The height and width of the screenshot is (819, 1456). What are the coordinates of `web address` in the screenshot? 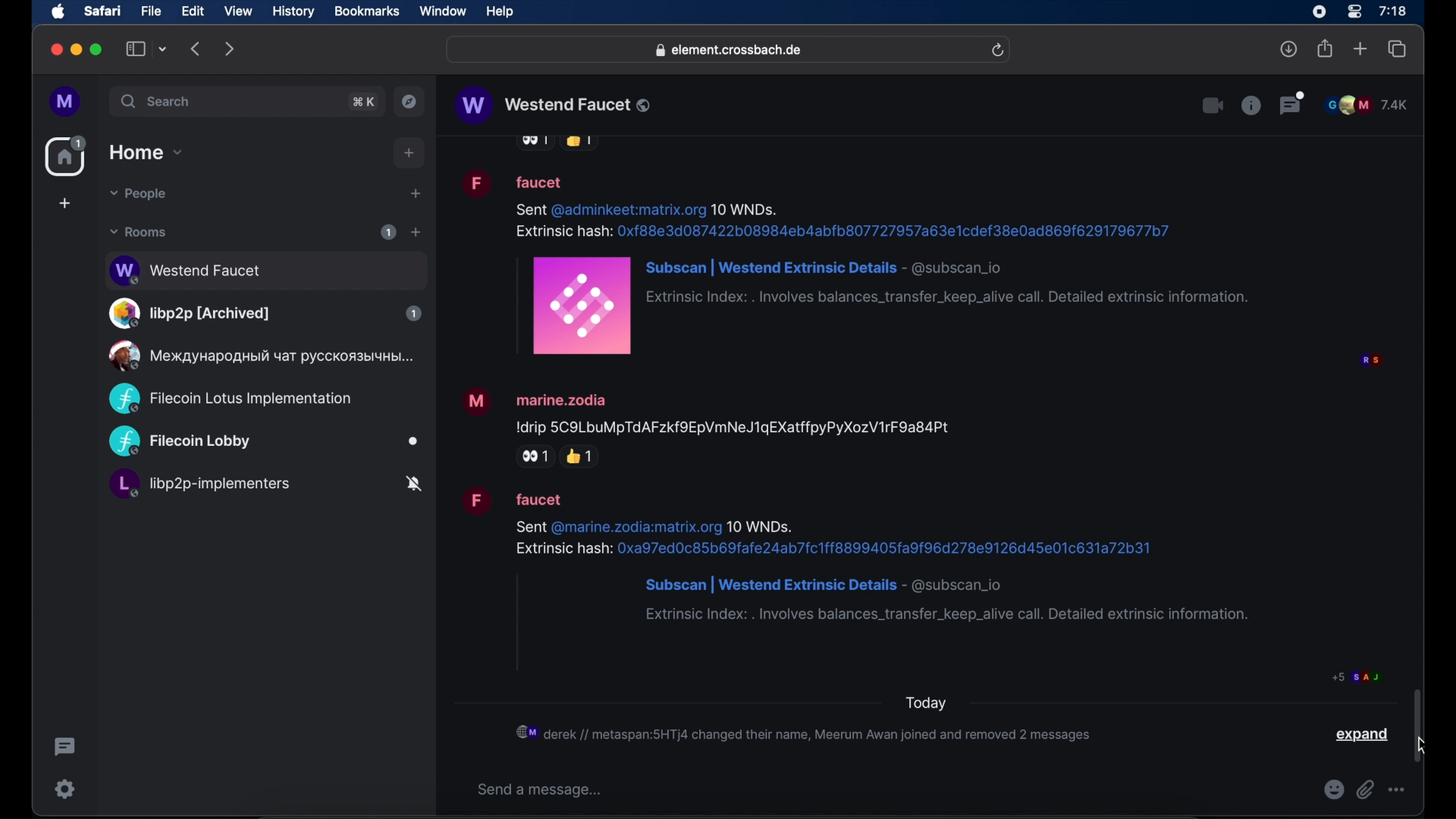 It's located at (730, 51).